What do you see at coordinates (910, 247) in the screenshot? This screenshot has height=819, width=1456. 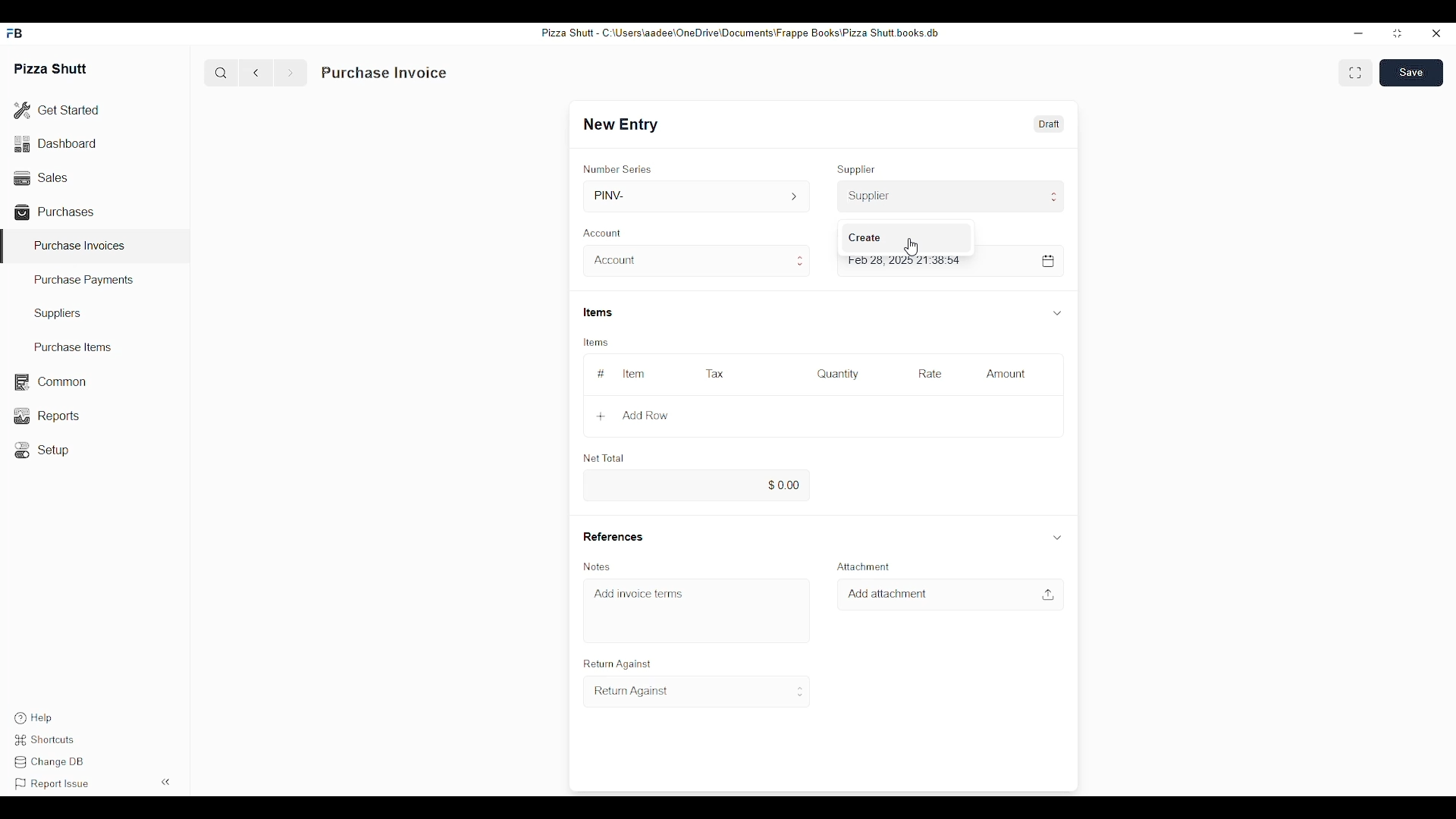 I see `cursor` at bounding box center [910, 247].